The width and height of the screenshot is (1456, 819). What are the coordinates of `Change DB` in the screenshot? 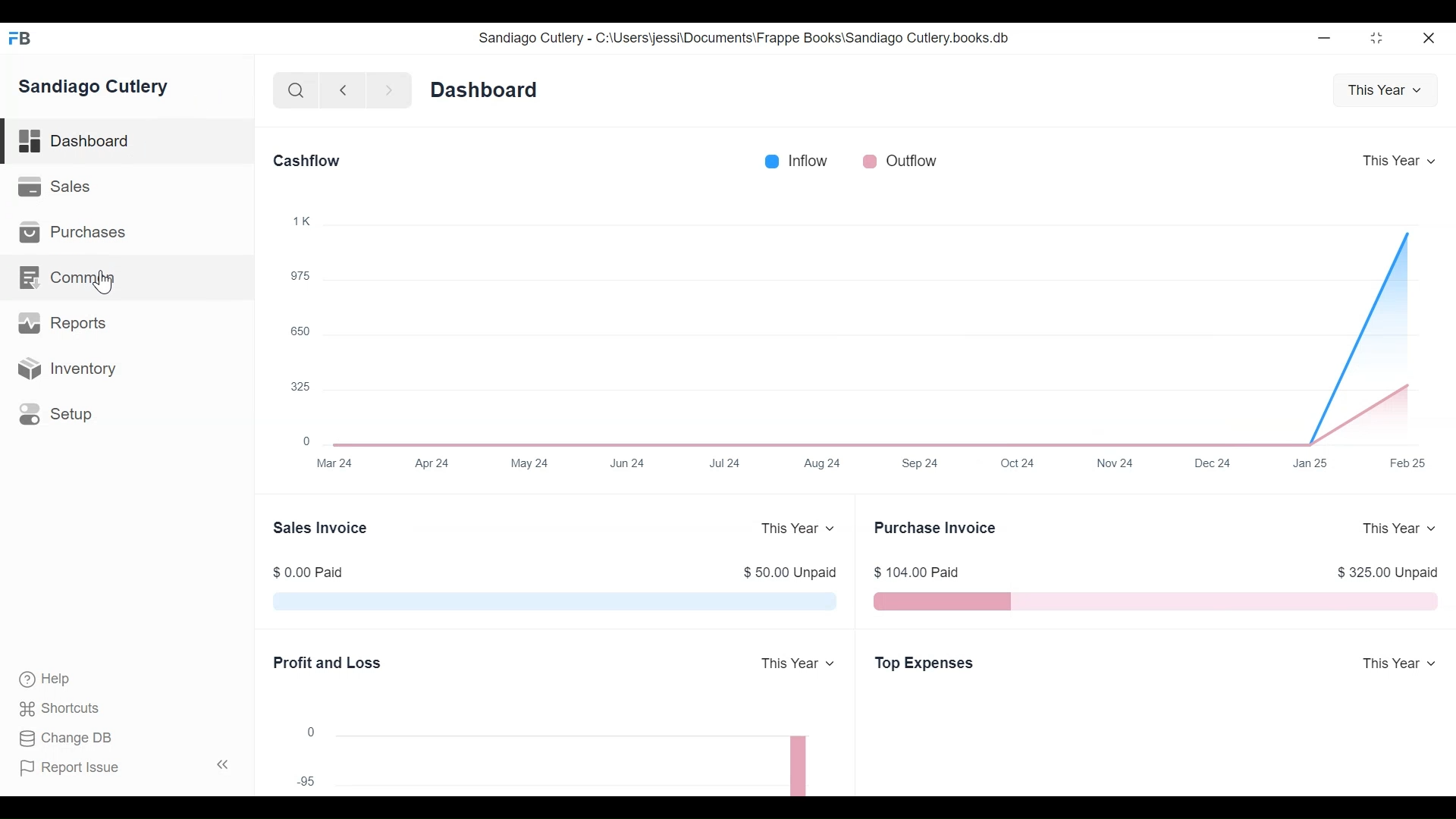 It's located at (64, 739).